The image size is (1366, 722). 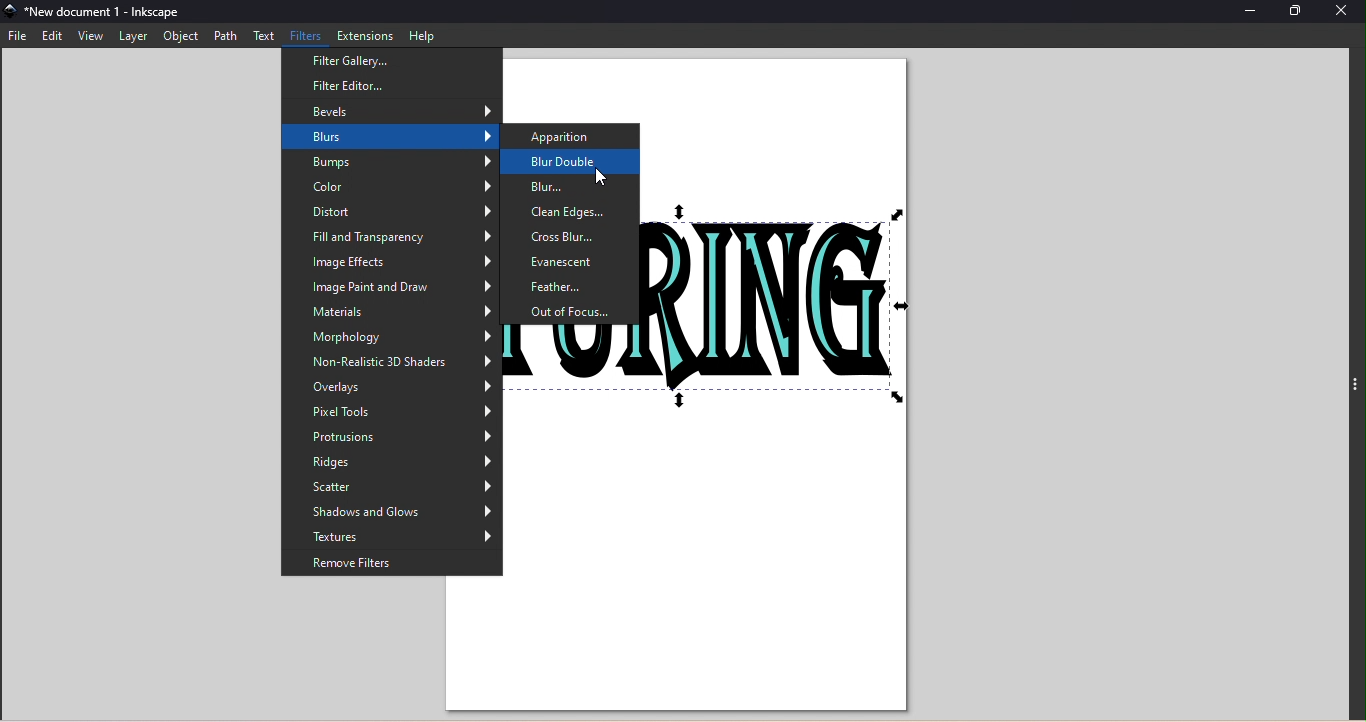 I want to click on Path, so click(x=224, y=37).